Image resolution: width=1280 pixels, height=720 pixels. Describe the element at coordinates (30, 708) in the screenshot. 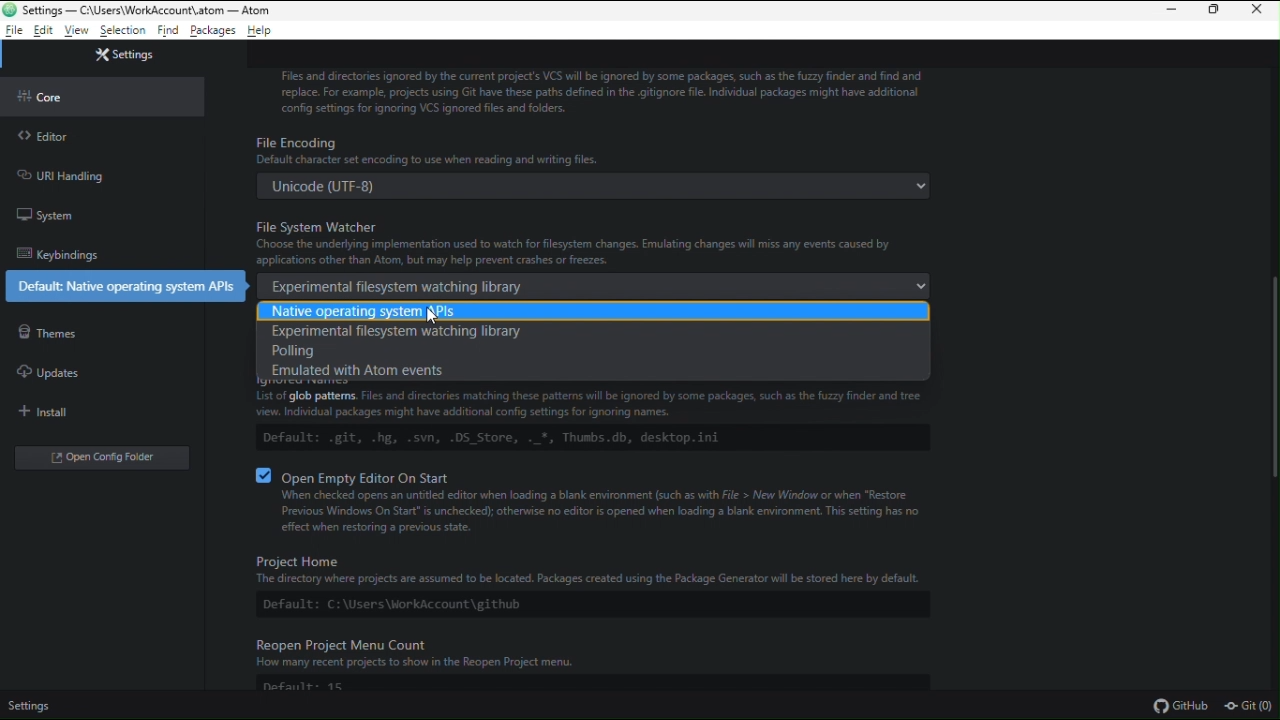

I see `Settings ` at that location.